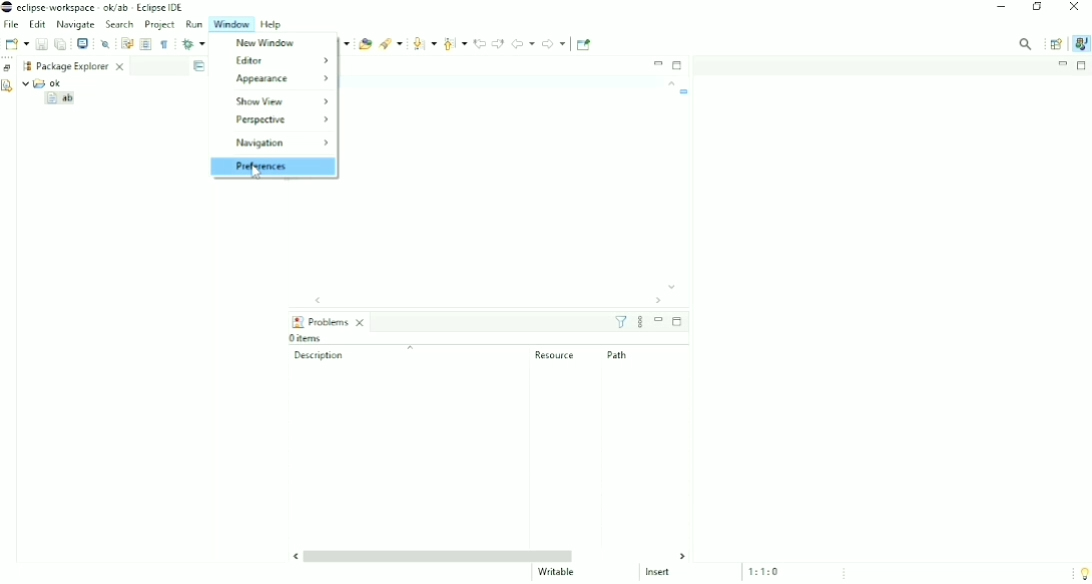  What do you see at coordinates (164, 44) in the screenshot?
I see `Show Whitespace Characters` at bounding box center [164, 44].